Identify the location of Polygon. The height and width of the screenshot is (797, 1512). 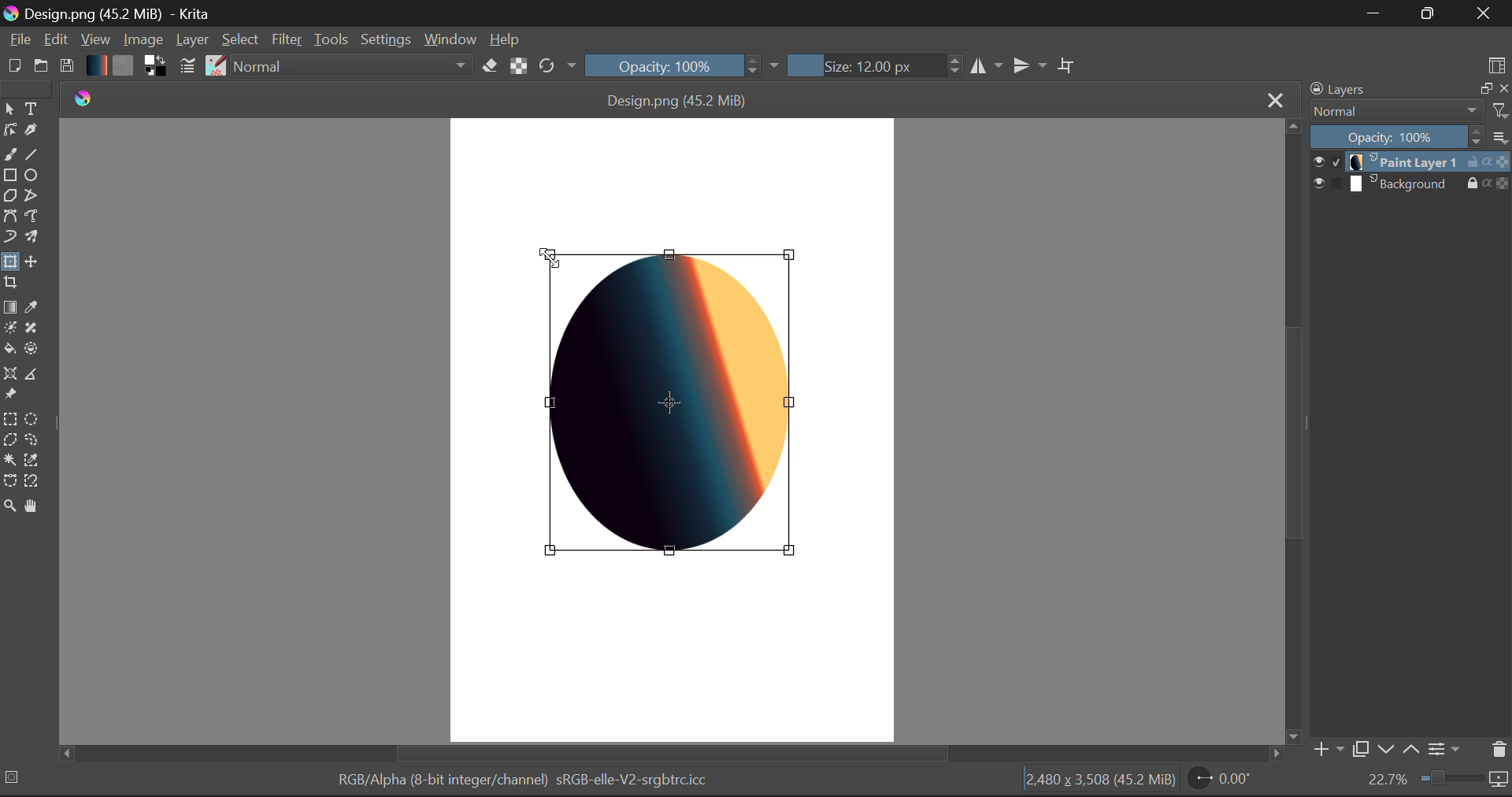
(9, 198).